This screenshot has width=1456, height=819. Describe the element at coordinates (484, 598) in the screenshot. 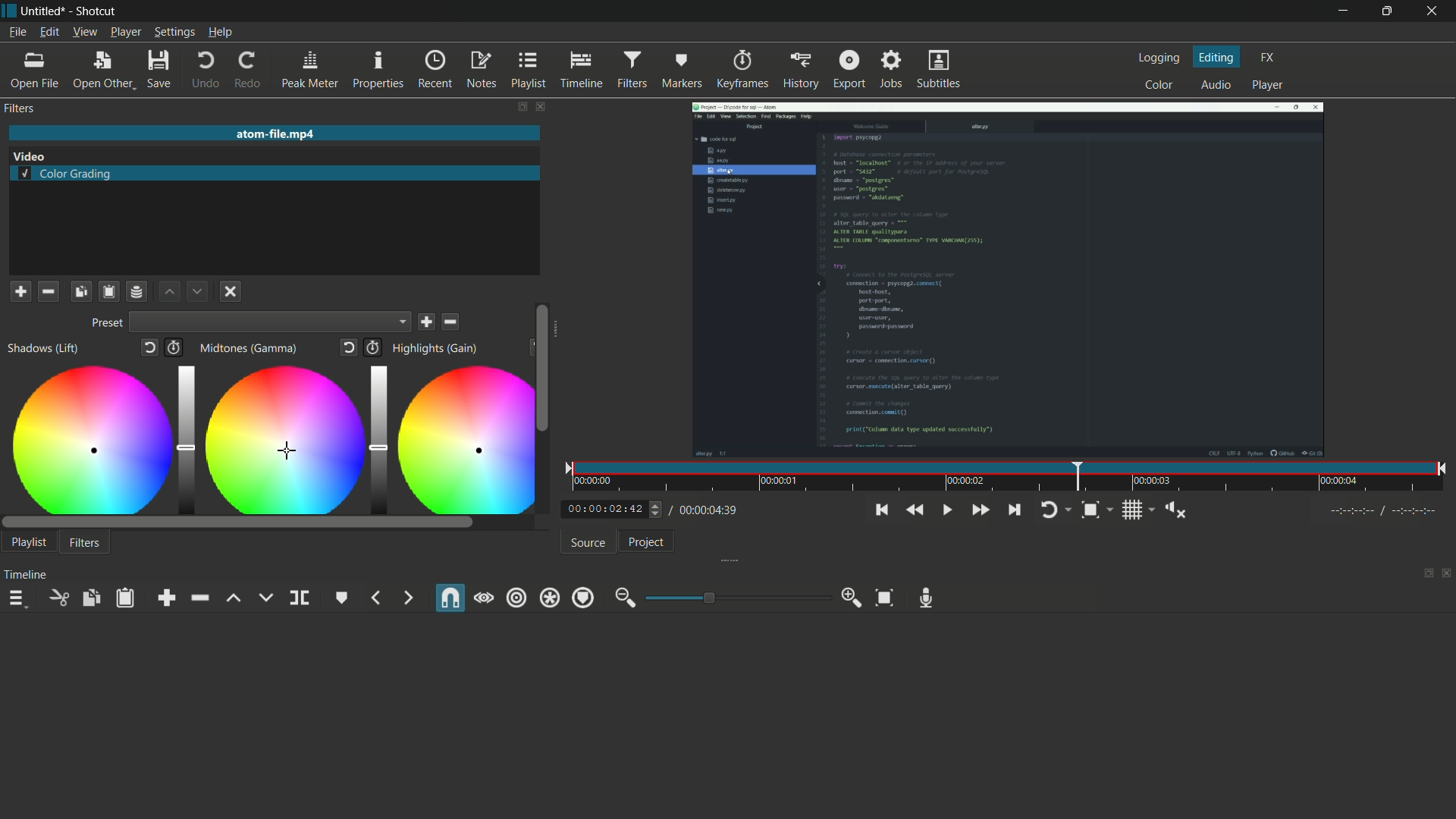

I see `scrub while dragging` at that location.